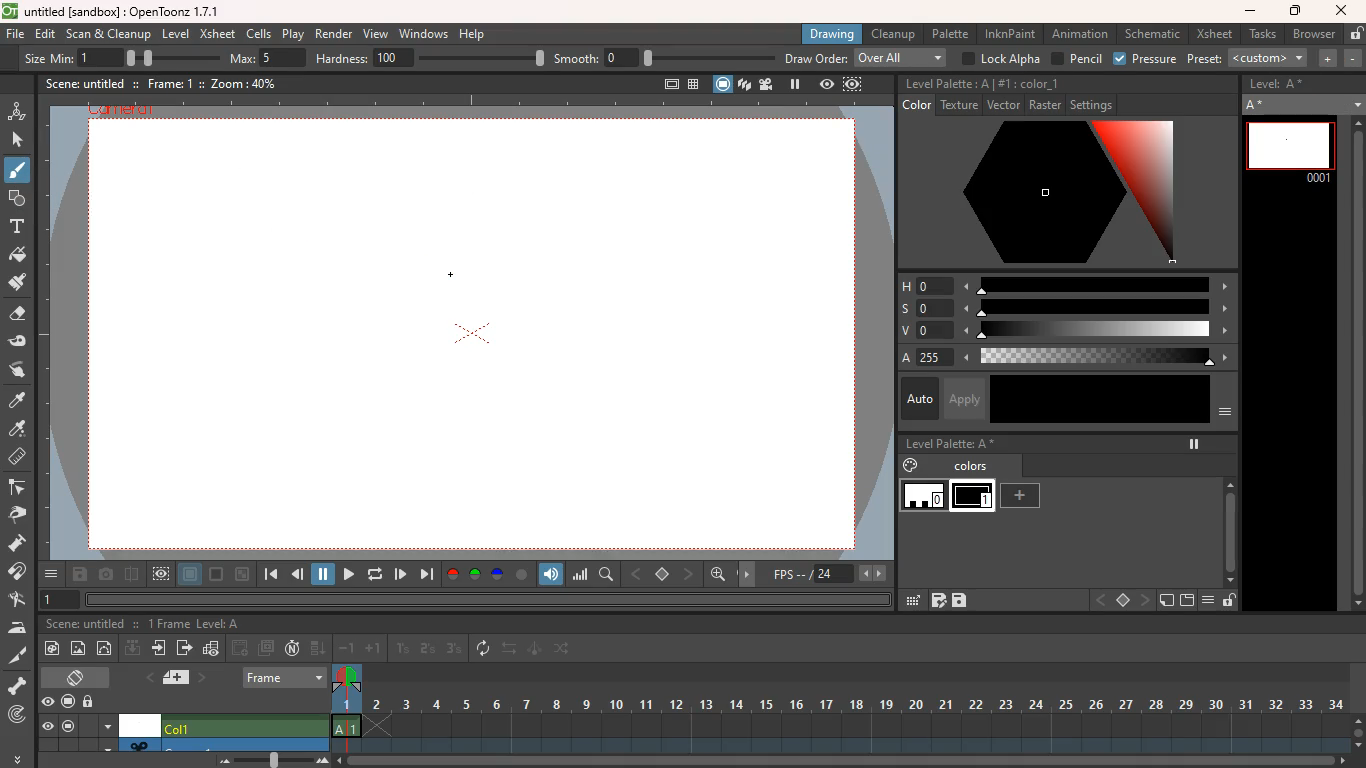  I want to click on pencil, so click(1077, 59).